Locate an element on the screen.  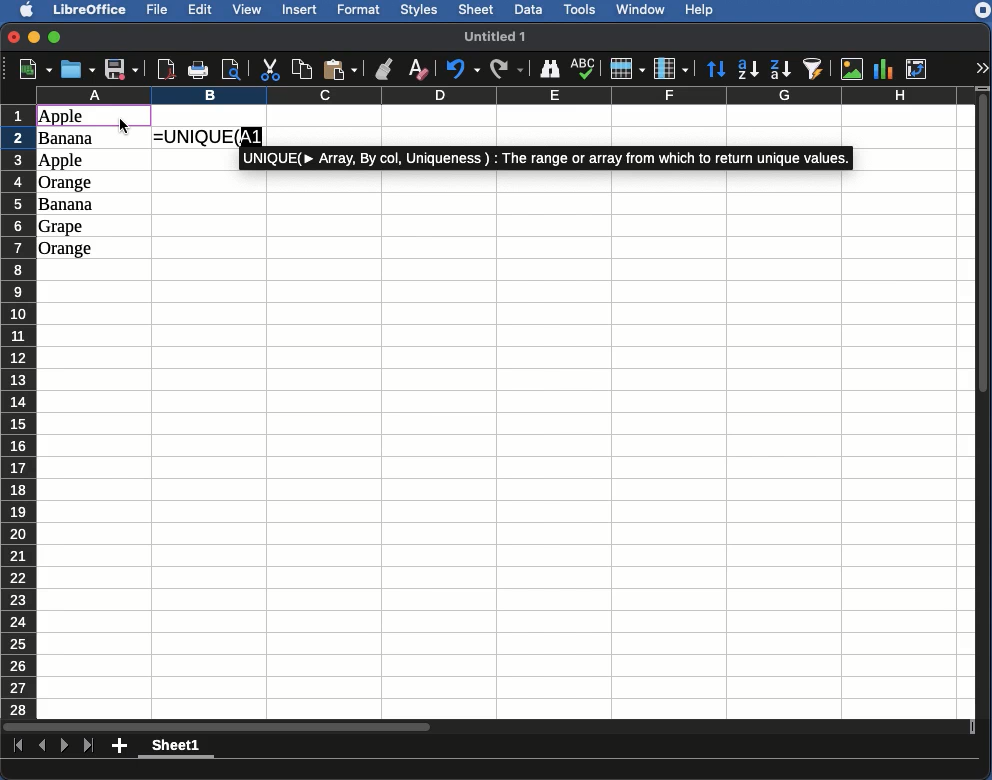
Minimize is located at coordinates (35, 37).